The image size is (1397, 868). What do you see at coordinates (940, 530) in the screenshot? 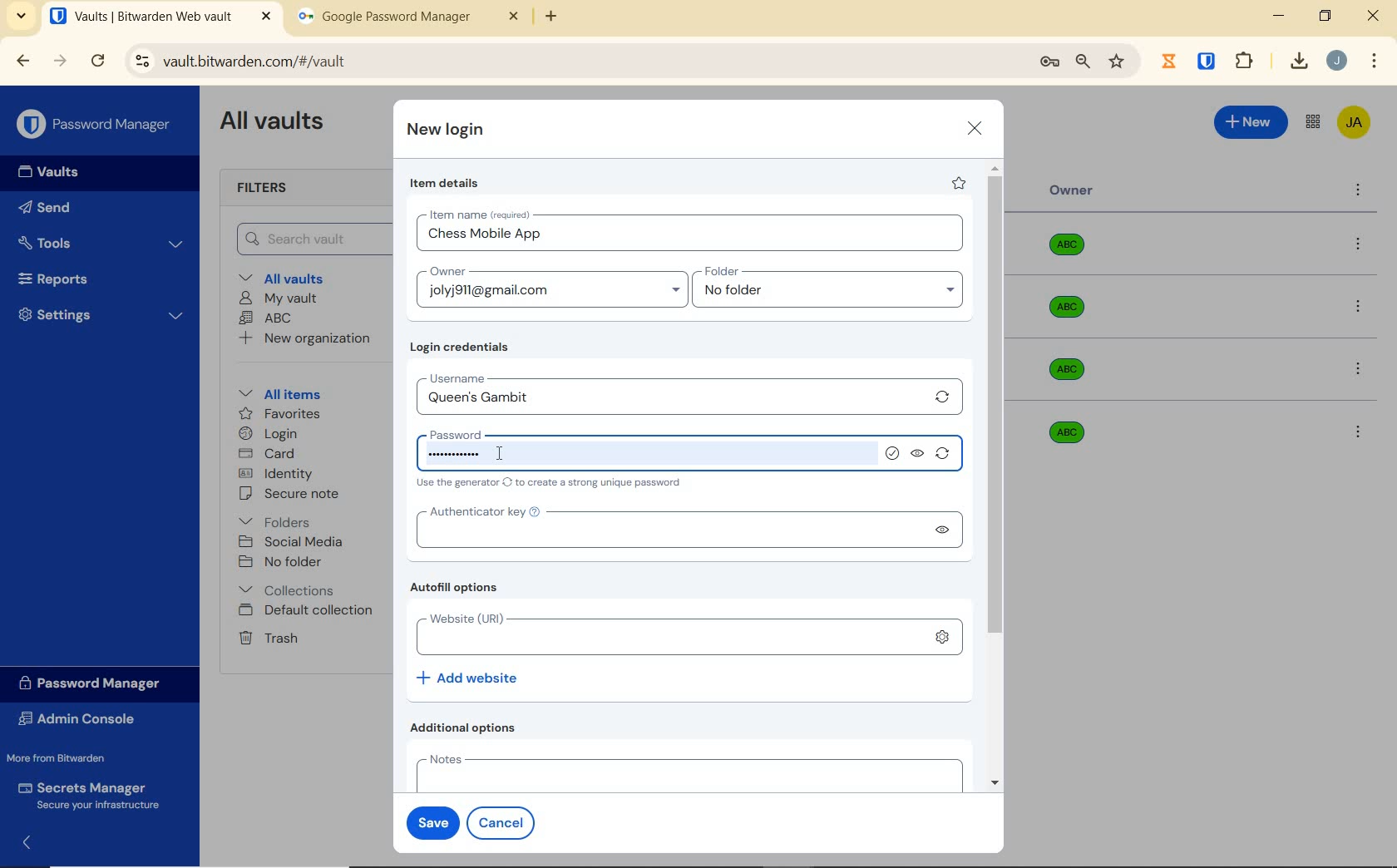
I see `unhide` at bounding box center [940, 530].